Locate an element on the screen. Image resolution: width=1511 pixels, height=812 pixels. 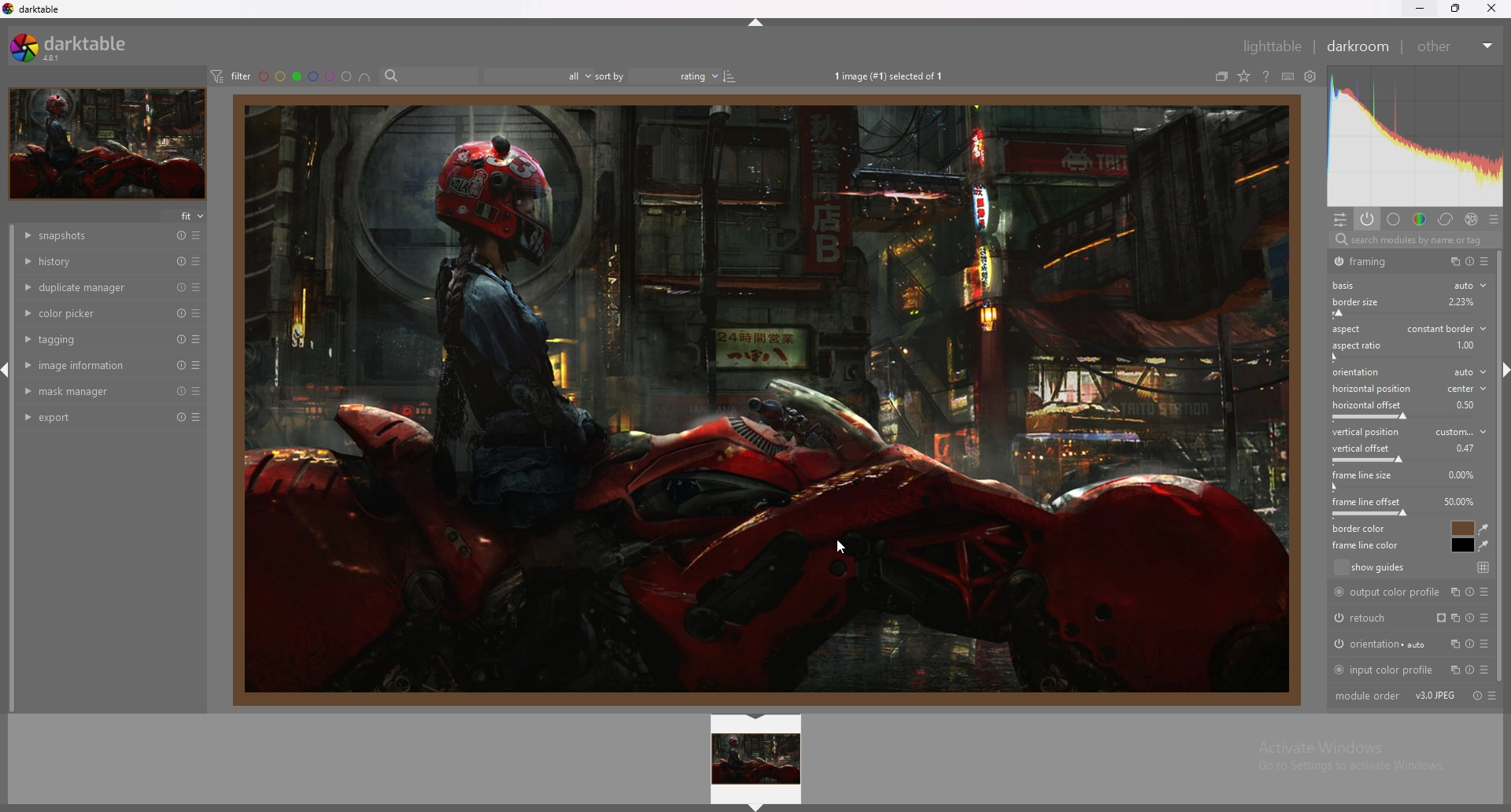
1 image (#1) selected of 1 is located at coordinates (870, 74).